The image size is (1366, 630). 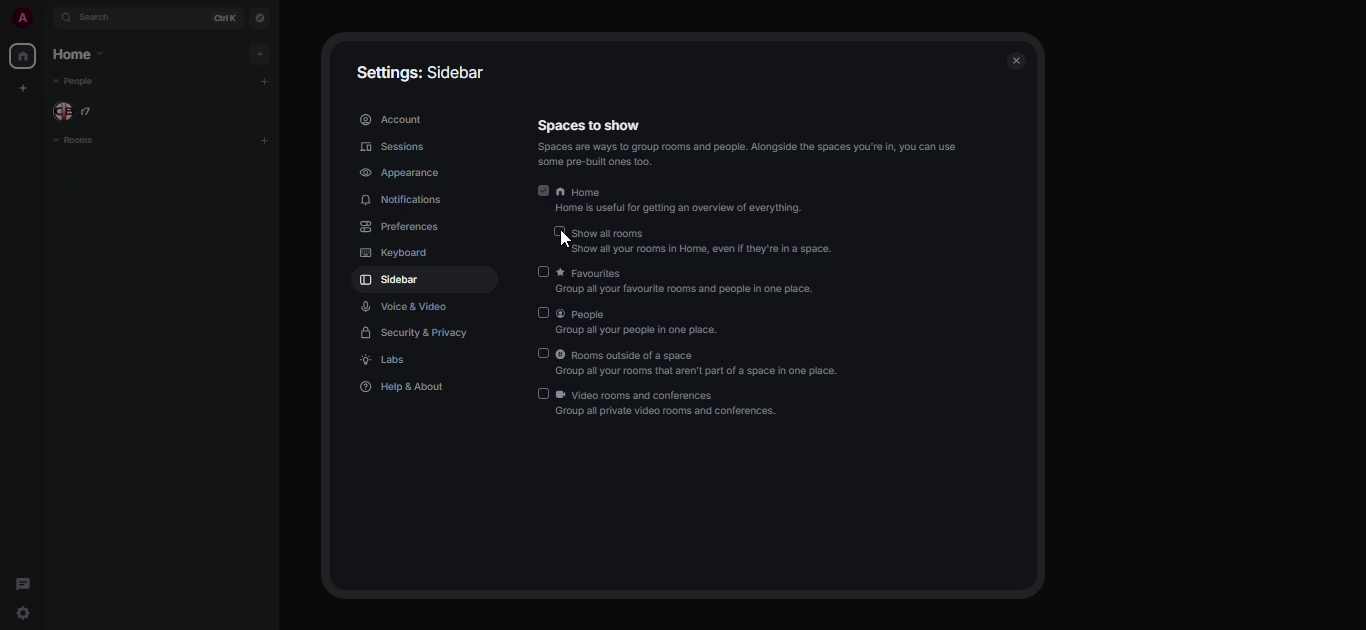 I want to click on show all rooms, so click(x=704, y=242).